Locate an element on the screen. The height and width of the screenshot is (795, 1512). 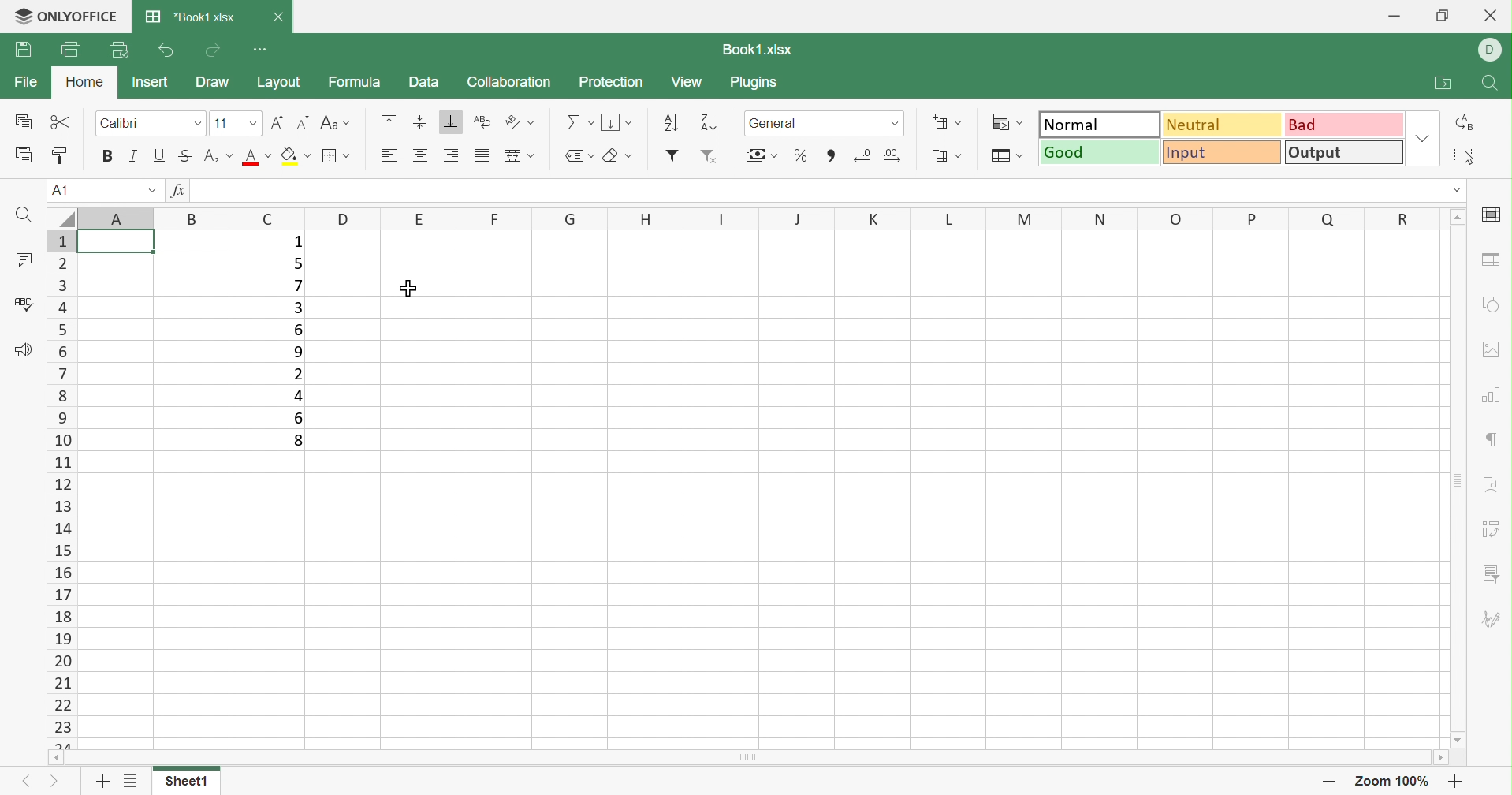
Drop Down is located at coordinates (197, 123).